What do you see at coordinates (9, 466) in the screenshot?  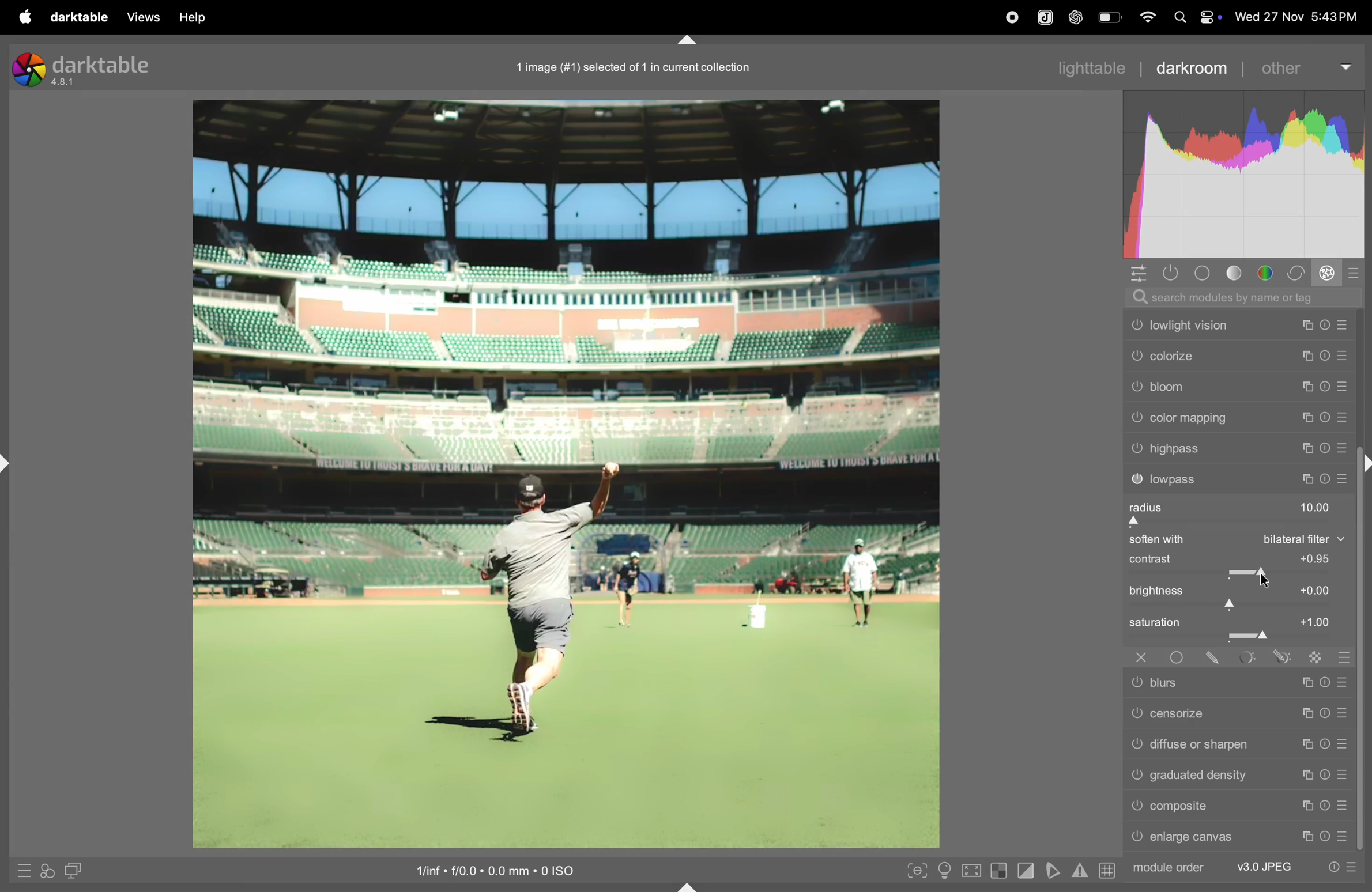 I see `shift+ctrl+l` at bounding box center [9, 466].